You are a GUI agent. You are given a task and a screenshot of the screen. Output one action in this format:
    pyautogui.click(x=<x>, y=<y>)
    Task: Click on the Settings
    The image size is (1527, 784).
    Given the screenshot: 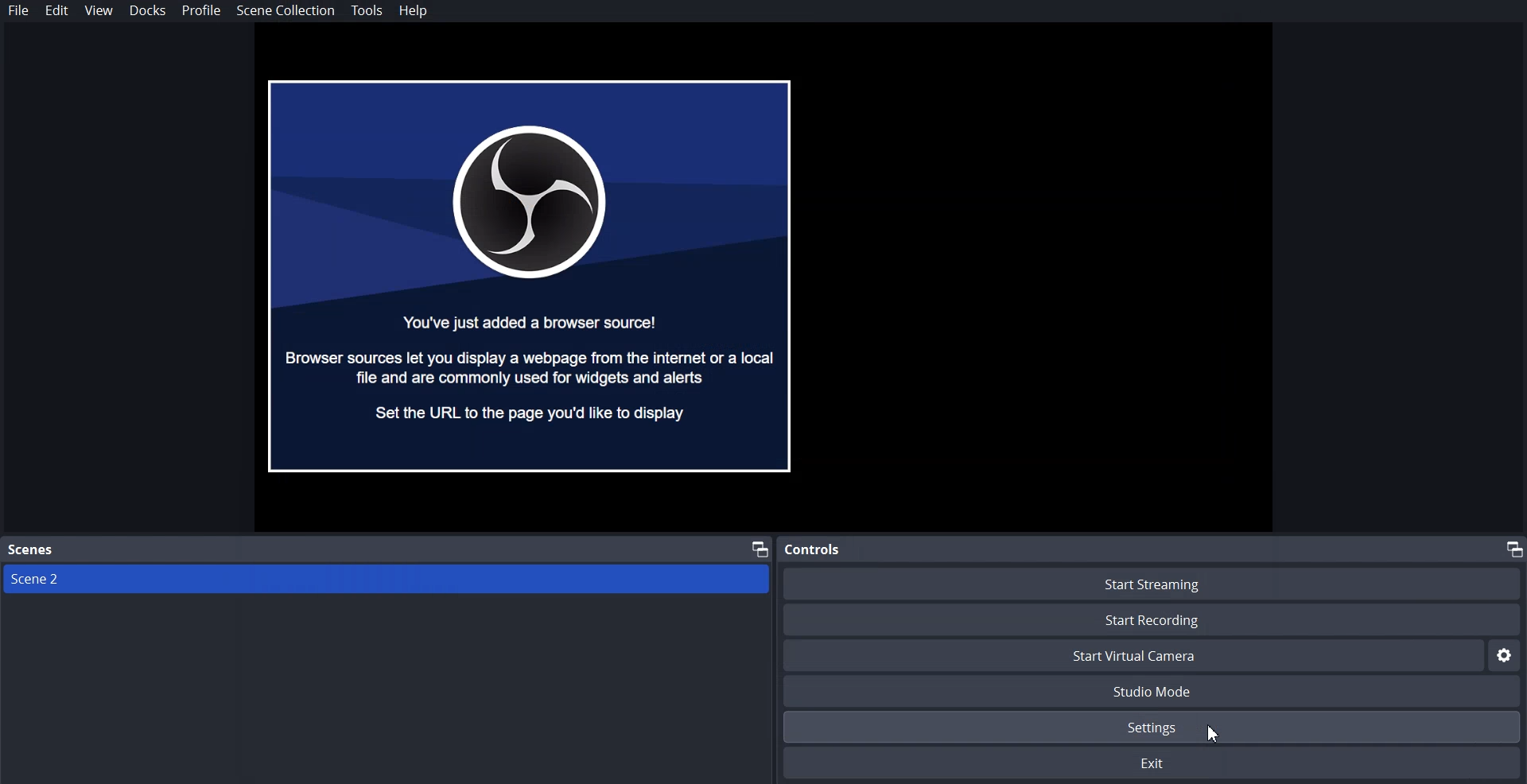 What is the action you would take?
    pyautogui.click(x=1507, y=655)
    